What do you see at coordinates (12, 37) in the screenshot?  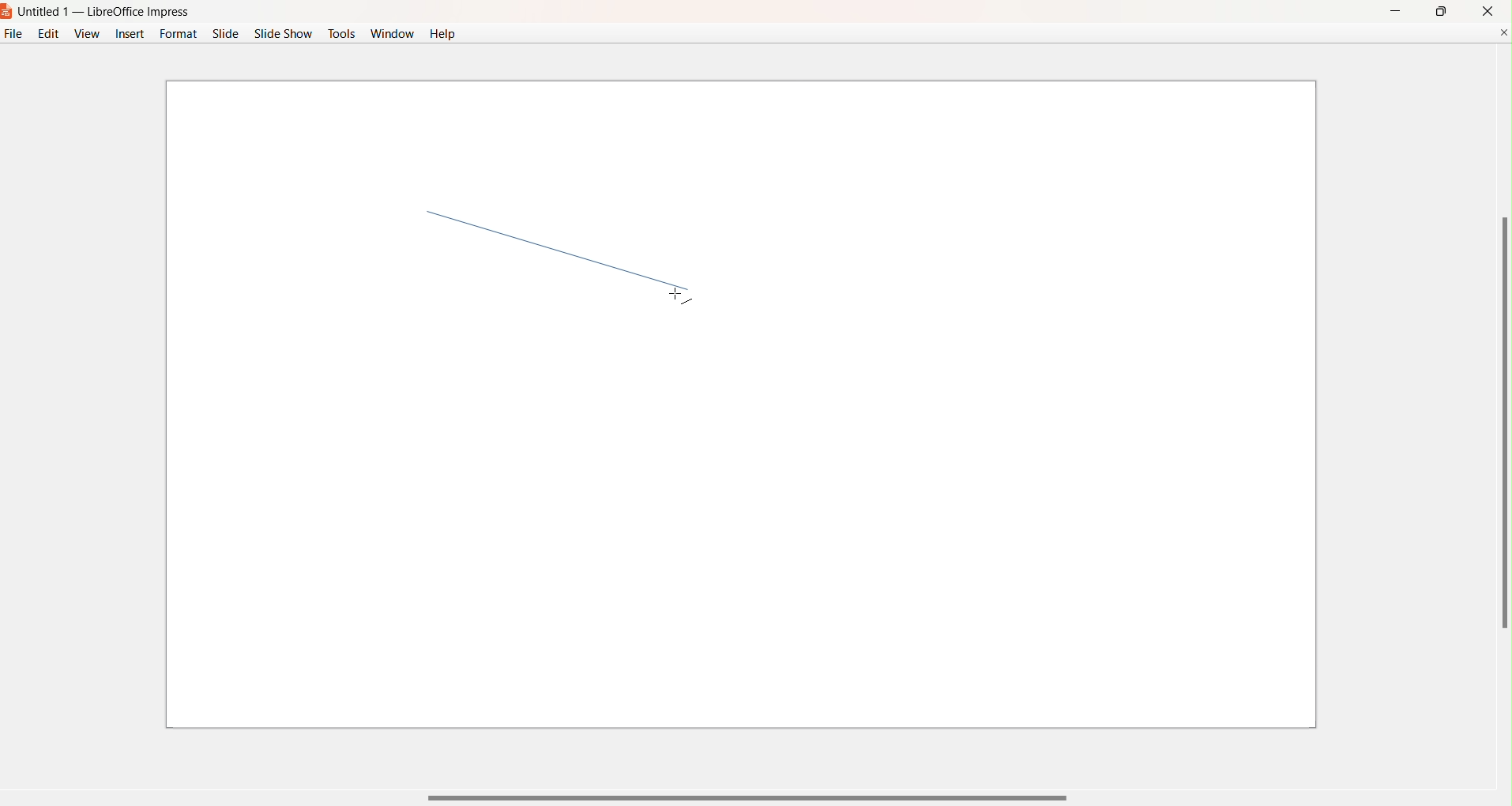 I see `File` at bounding box center [12, 37].